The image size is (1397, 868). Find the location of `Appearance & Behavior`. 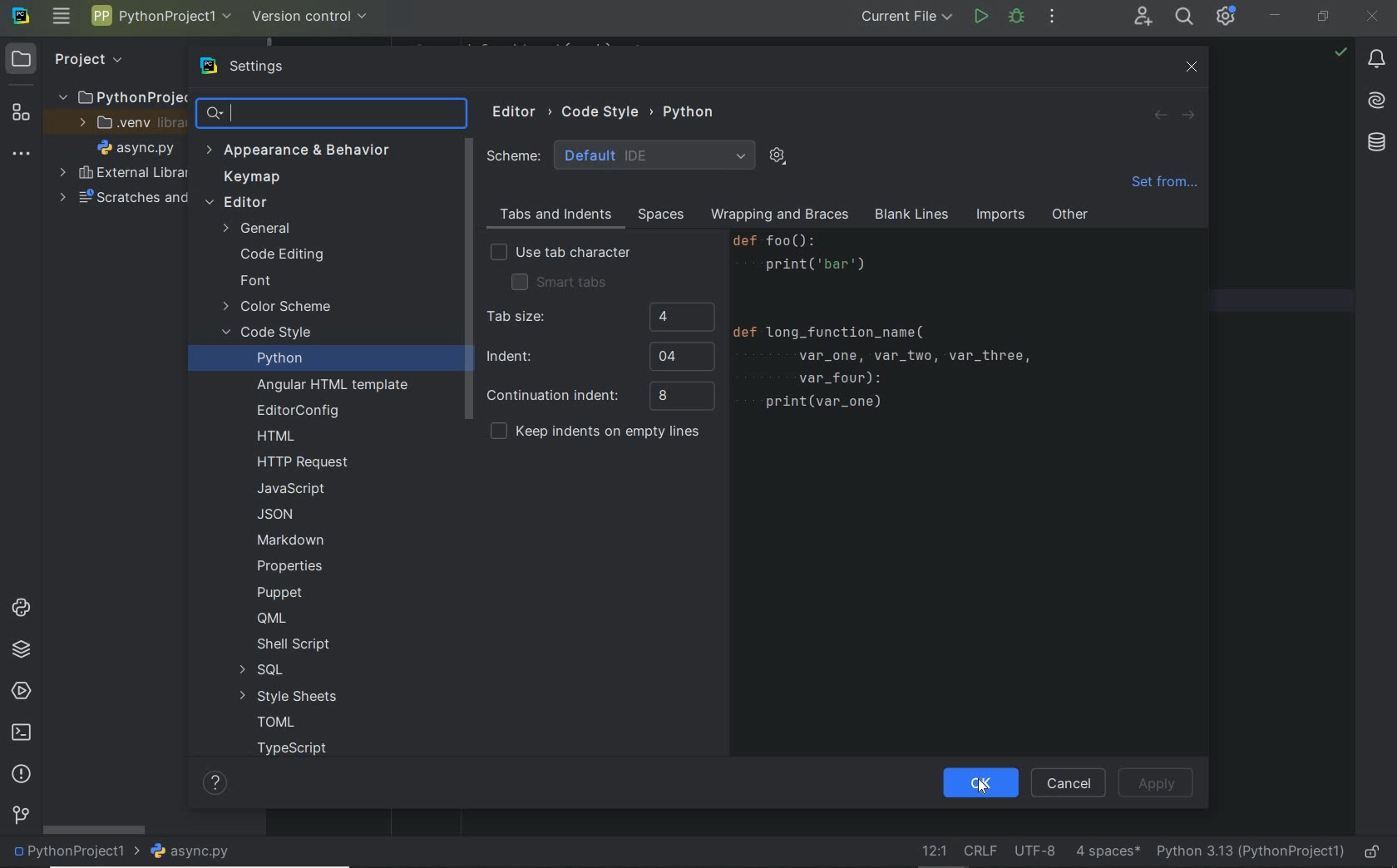

Appearance & Behavior is located at coordinates (299, 152).